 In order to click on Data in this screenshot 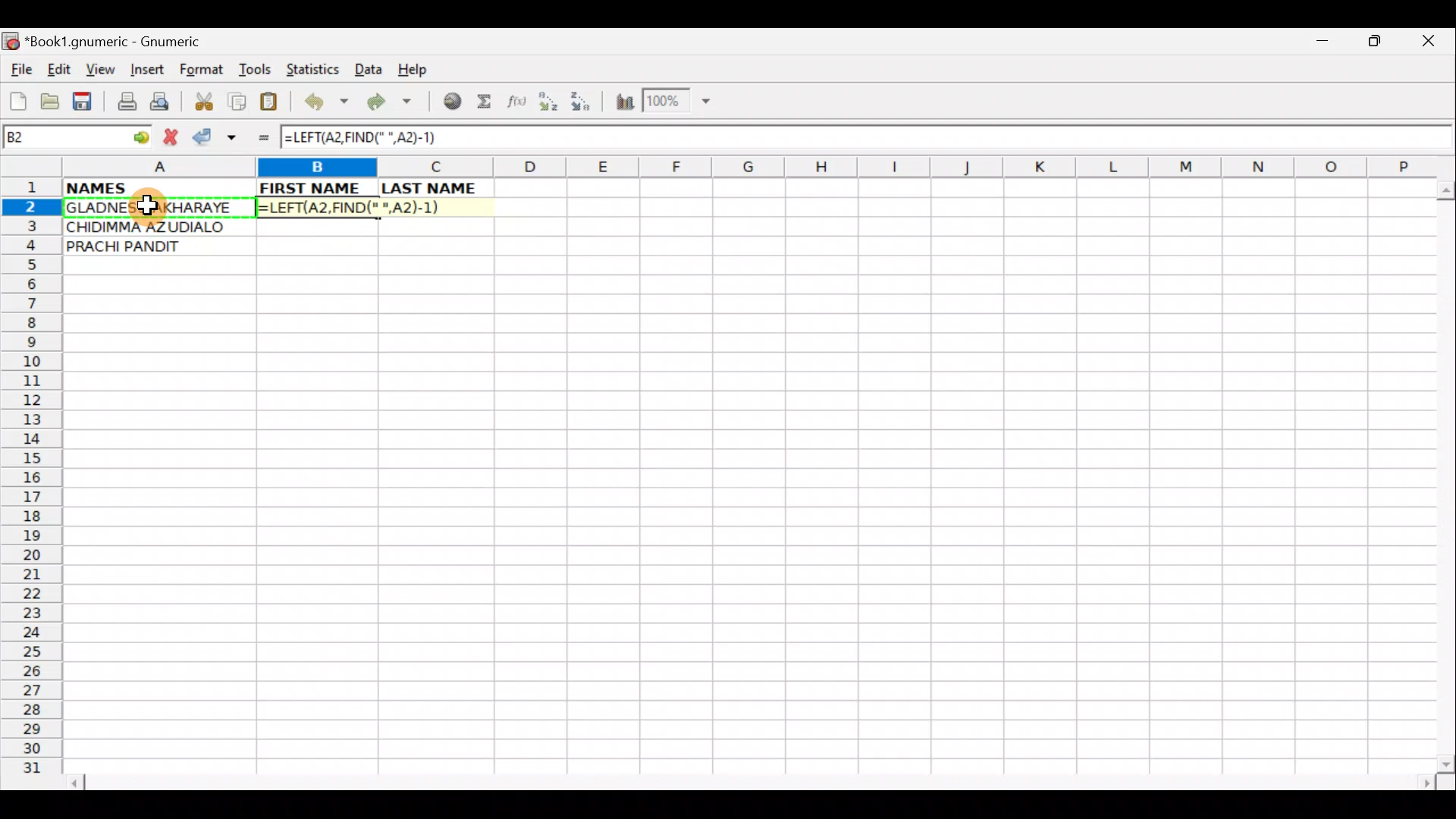, I will do `click(368, 68)`.